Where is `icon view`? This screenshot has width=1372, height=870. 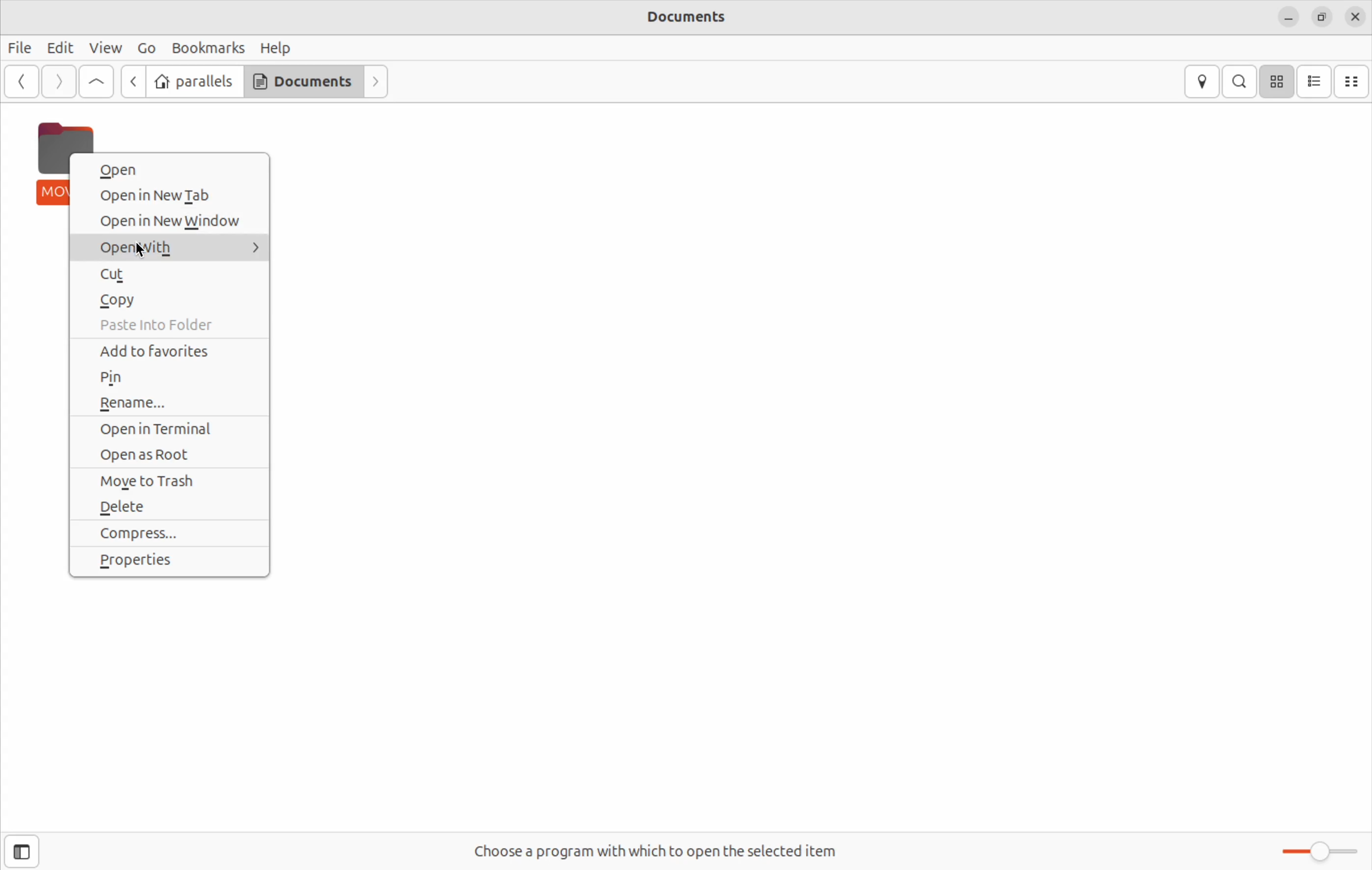
icon view is located at coordinates (1277, 81).